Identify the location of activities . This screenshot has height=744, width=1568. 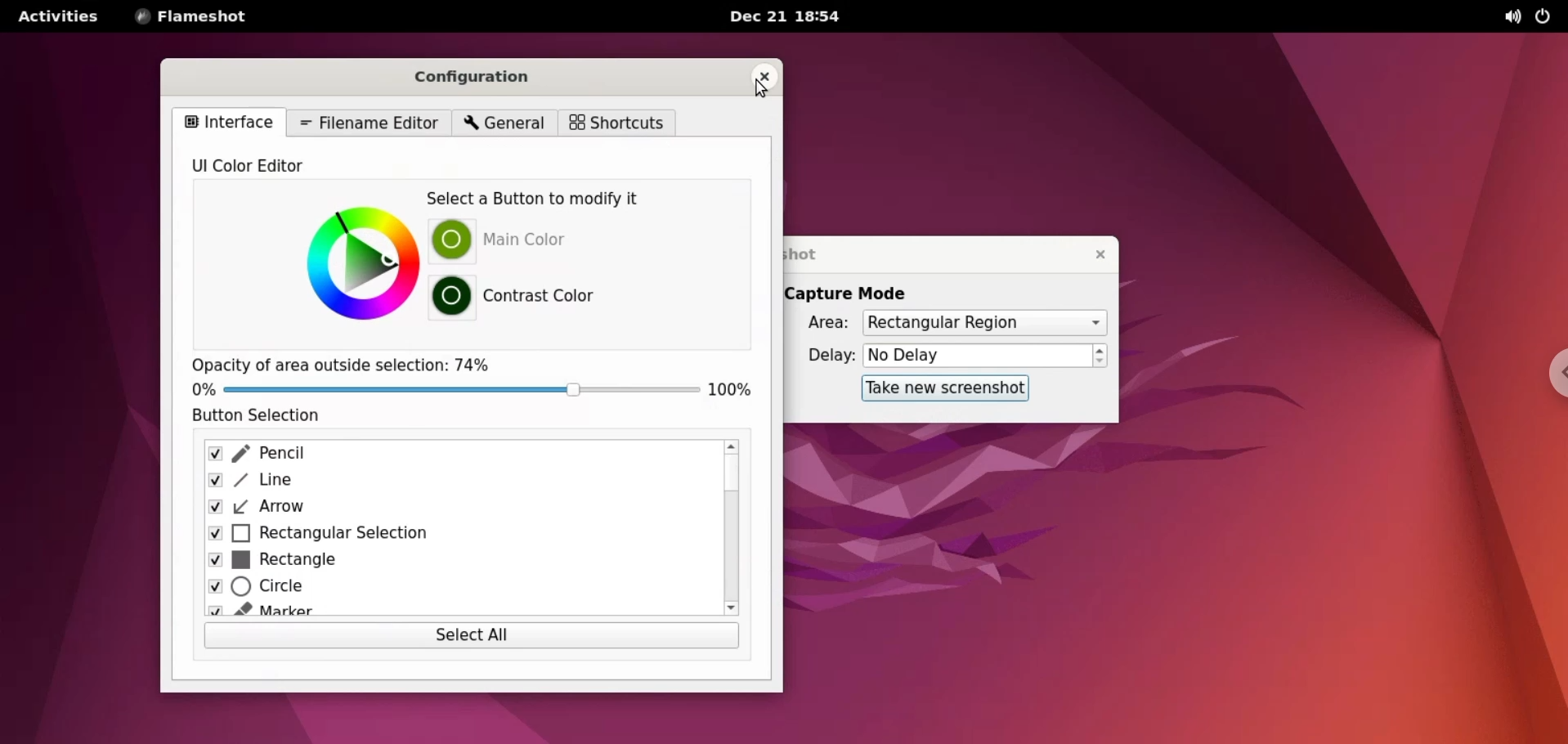
(56, 16).